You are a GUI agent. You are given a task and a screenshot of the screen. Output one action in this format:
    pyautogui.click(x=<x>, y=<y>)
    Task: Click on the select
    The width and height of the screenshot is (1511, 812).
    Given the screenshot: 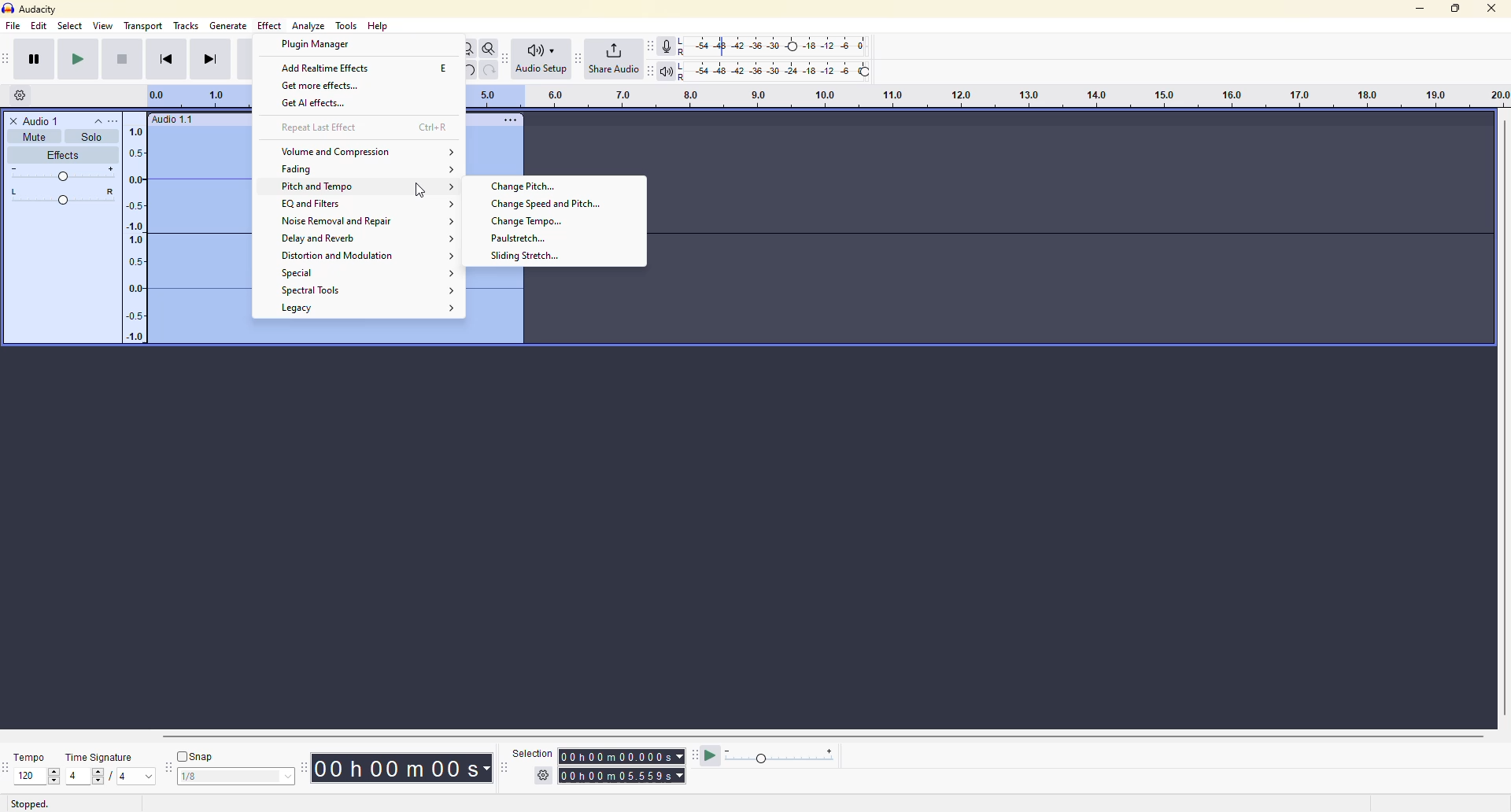 What is the action you would take?
    pyautogui.click(x=101, y=777)
    